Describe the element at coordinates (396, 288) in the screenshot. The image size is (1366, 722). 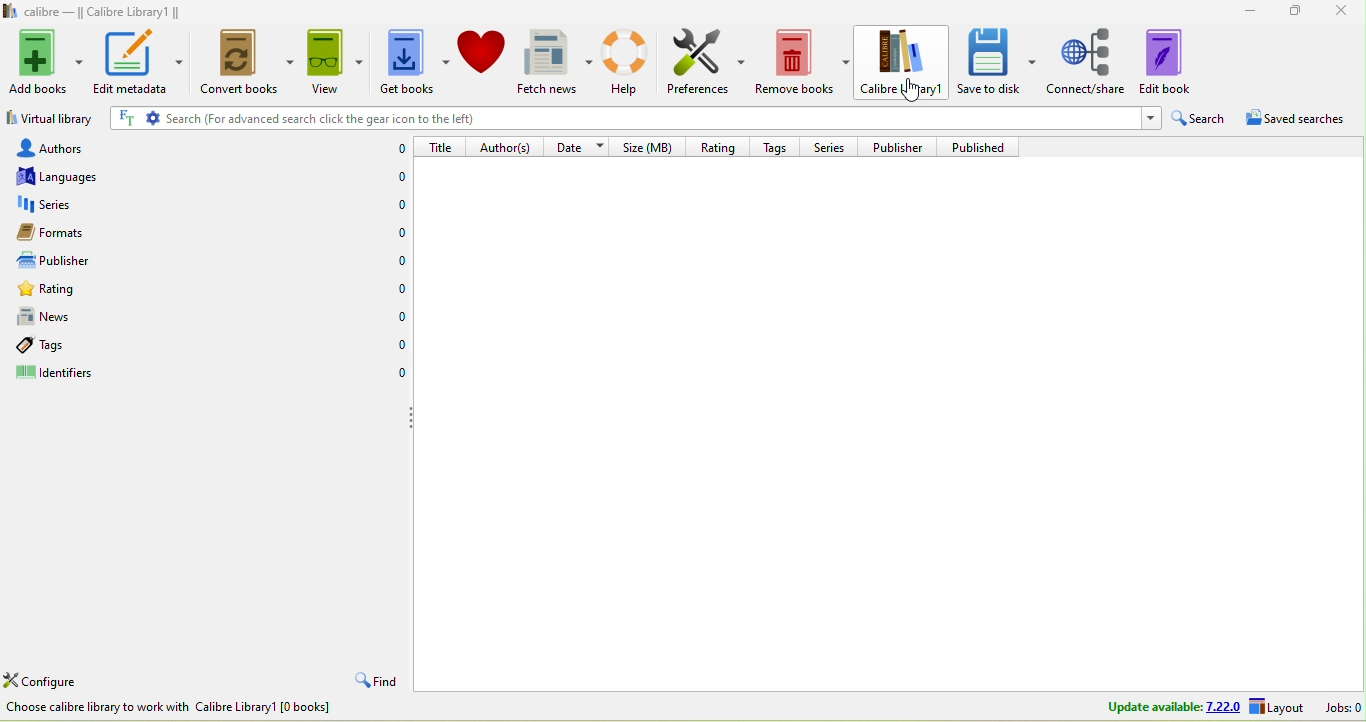
I see `0` at that location.